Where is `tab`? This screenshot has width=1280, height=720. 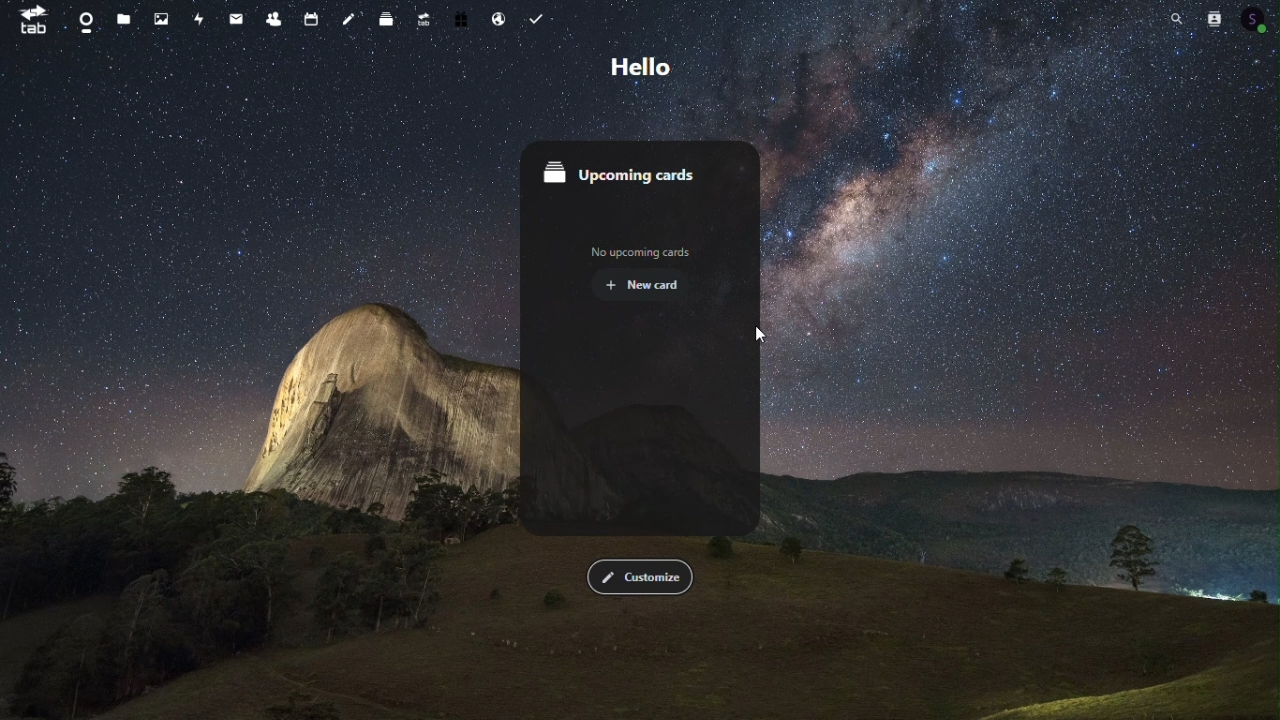 tab is located at coordinates (30, 20).